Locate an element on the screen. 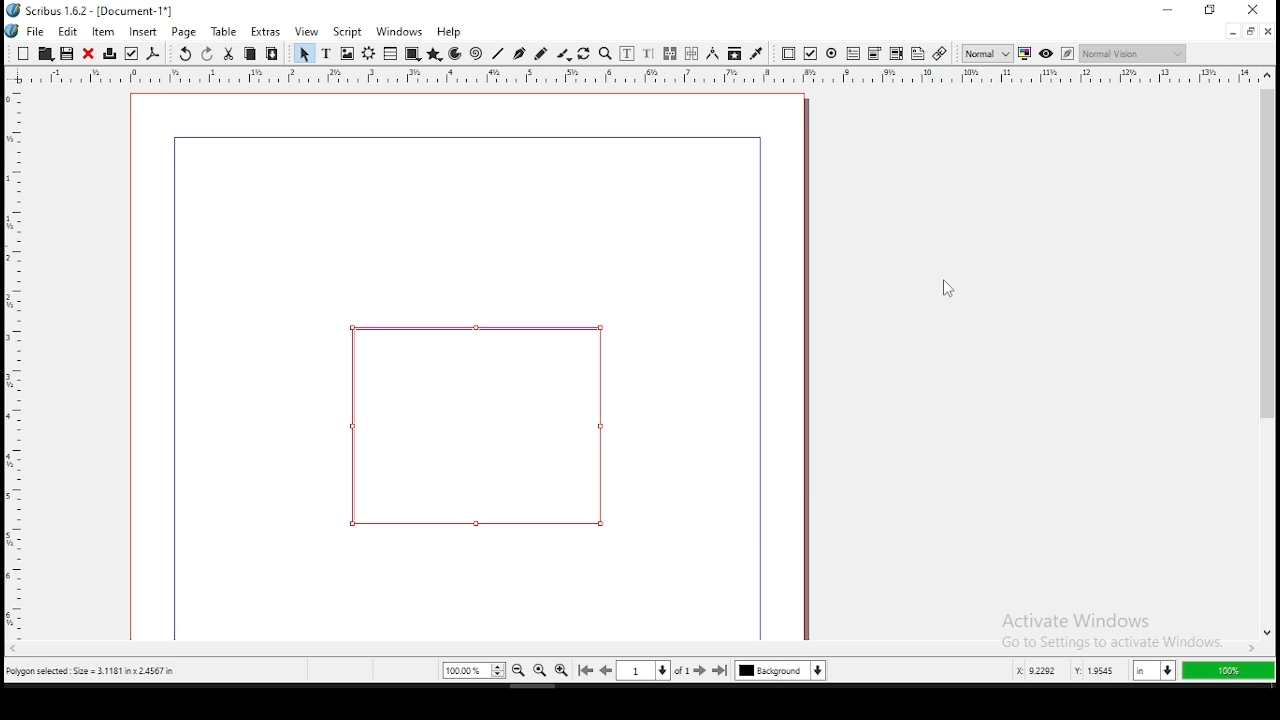 The height and width of the screenshot is (720, 1280). zoom 100% is located at coordinates (474, 670).